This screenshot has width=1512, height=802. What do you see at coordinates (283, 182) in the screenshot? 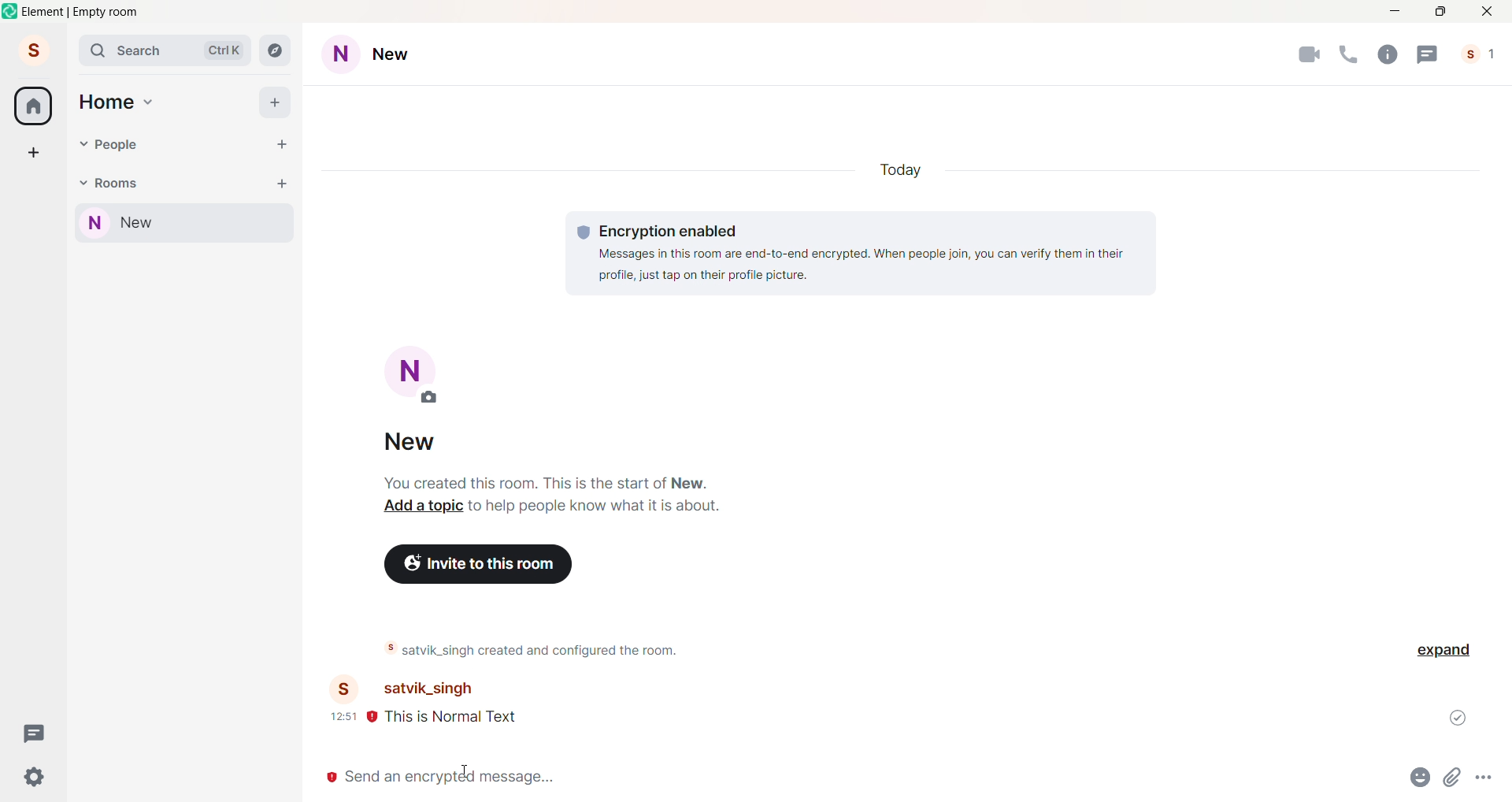
I see `Add Room` at bounding box center [283, 182].